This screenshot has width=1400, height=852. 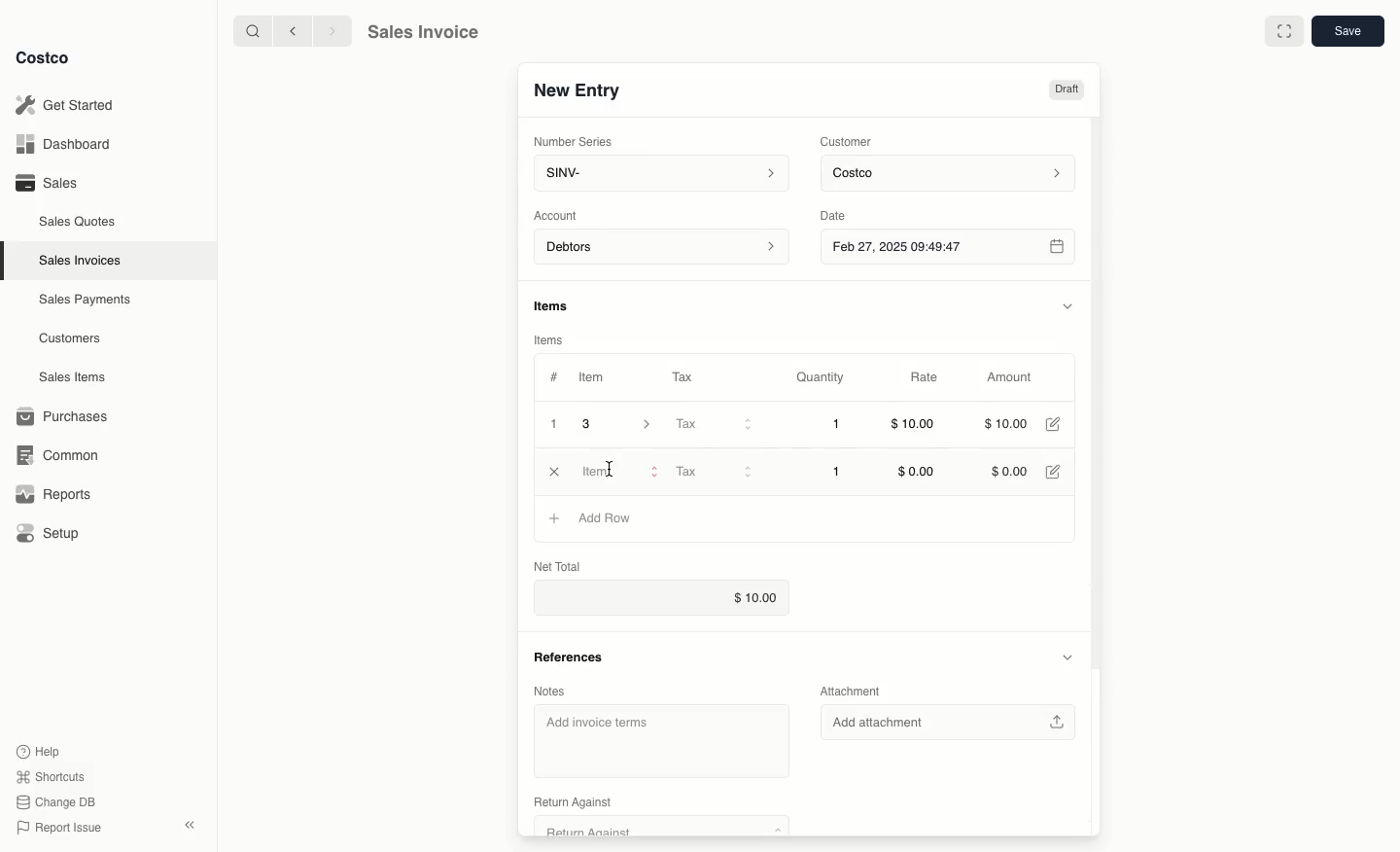 I want to click on Return Against, so click(x=649, y=828).